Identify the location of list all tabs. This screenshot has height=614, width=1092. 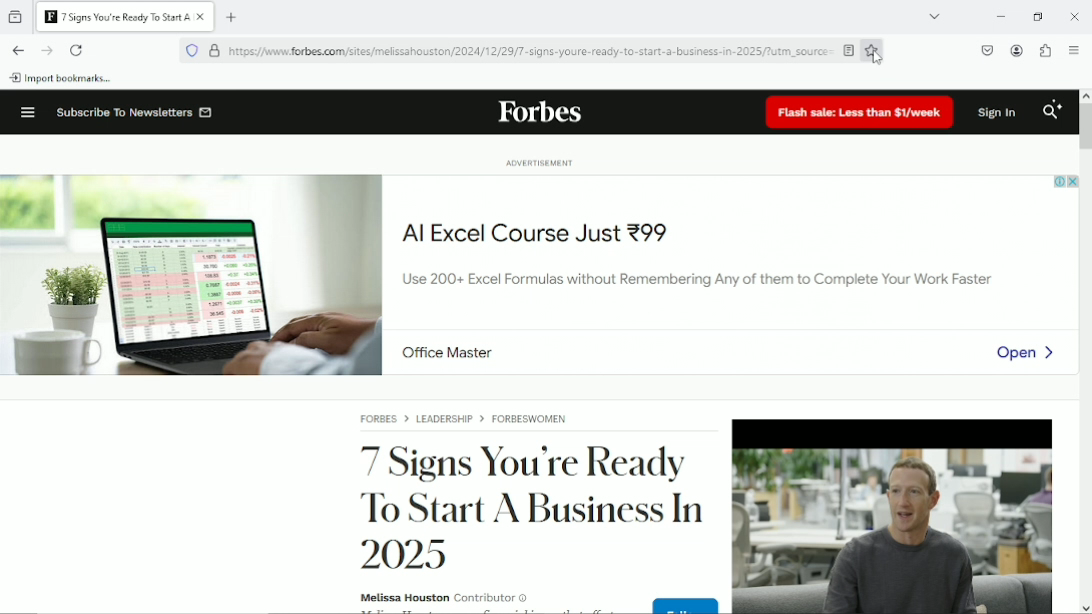
(934, 16).